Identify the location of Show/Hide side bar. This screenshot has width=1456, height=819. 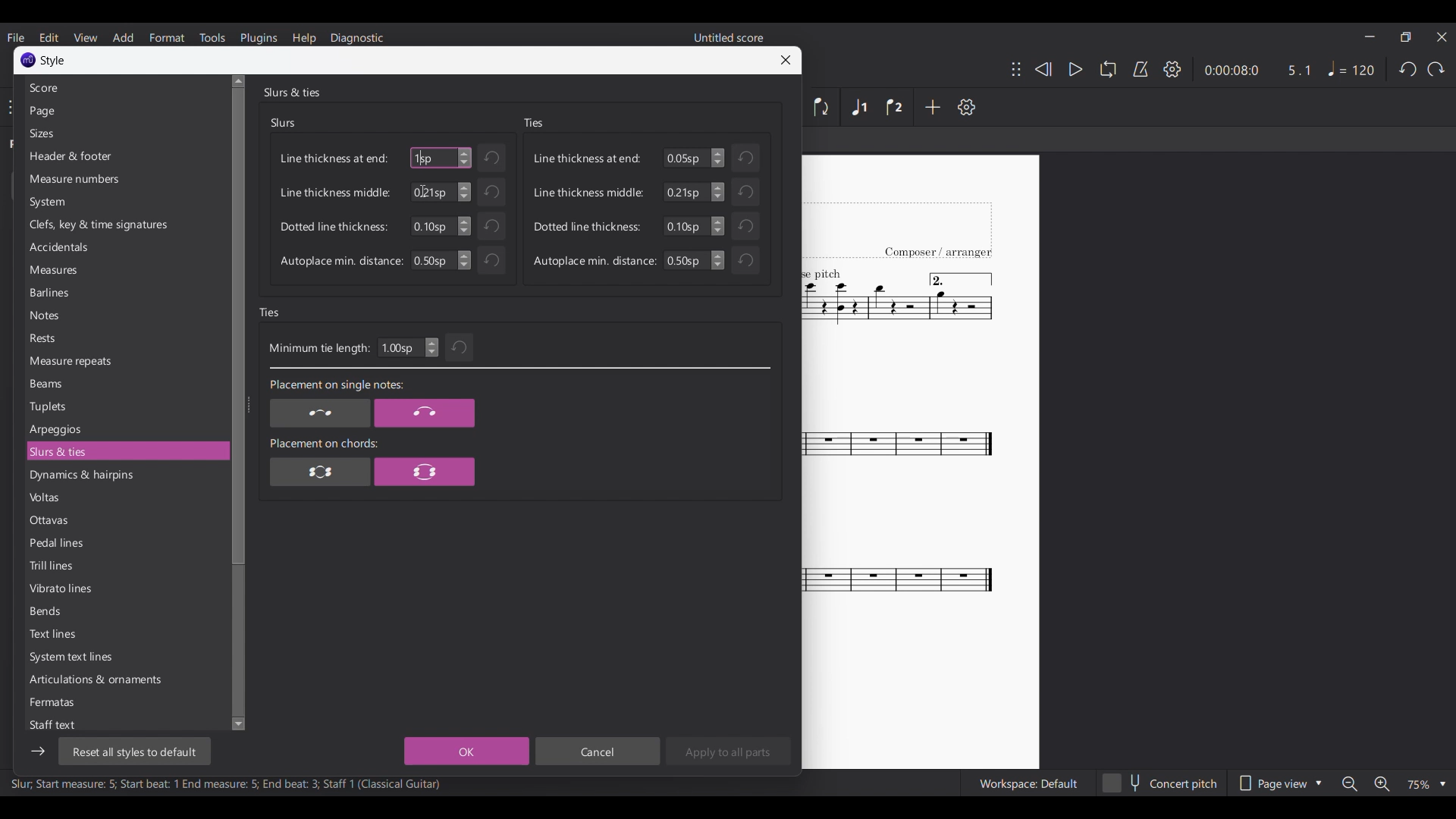
(38, 752).